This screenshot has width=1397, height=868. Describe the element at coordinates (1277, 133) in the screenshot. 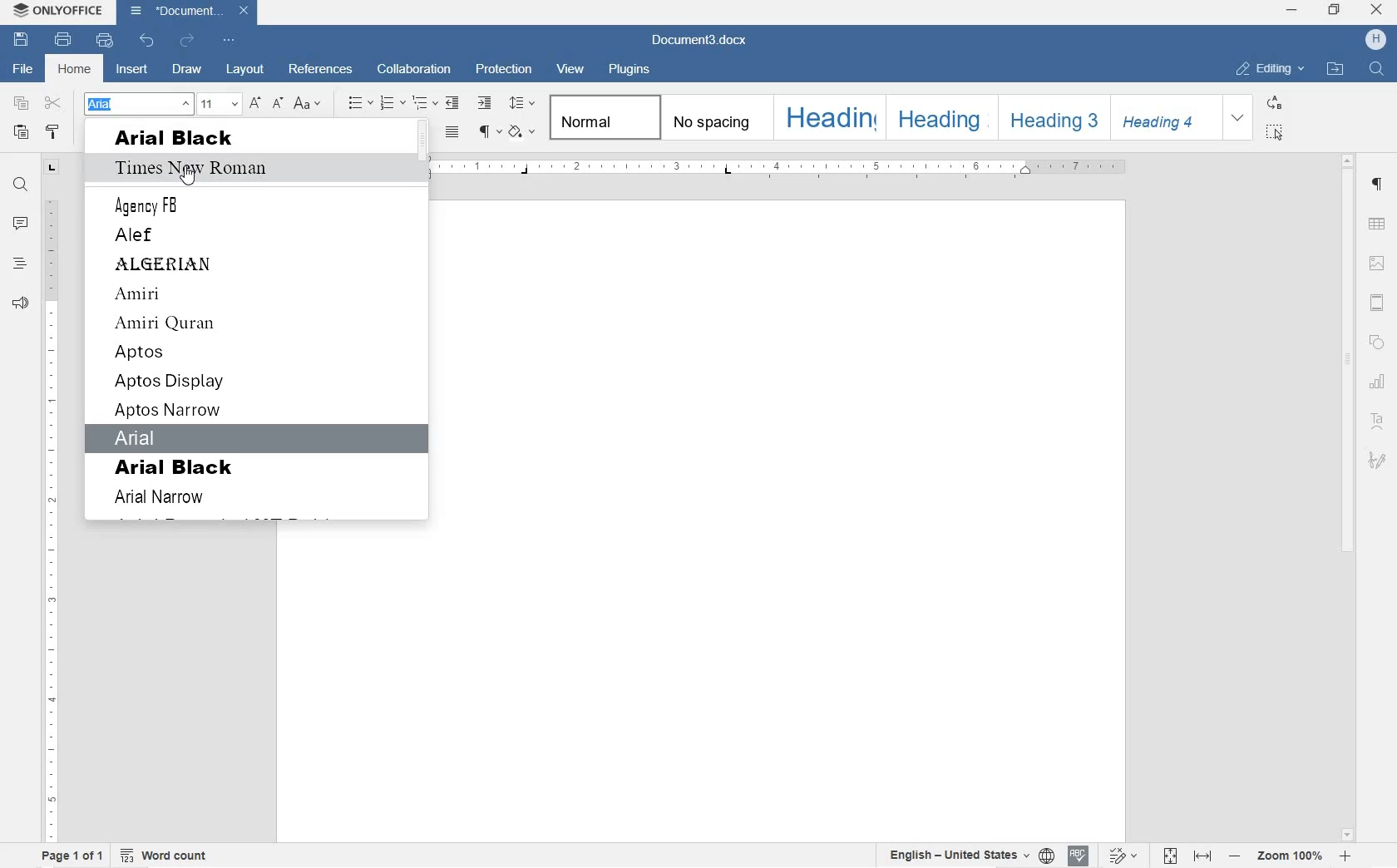

I see `SELECT ALL` at that location.